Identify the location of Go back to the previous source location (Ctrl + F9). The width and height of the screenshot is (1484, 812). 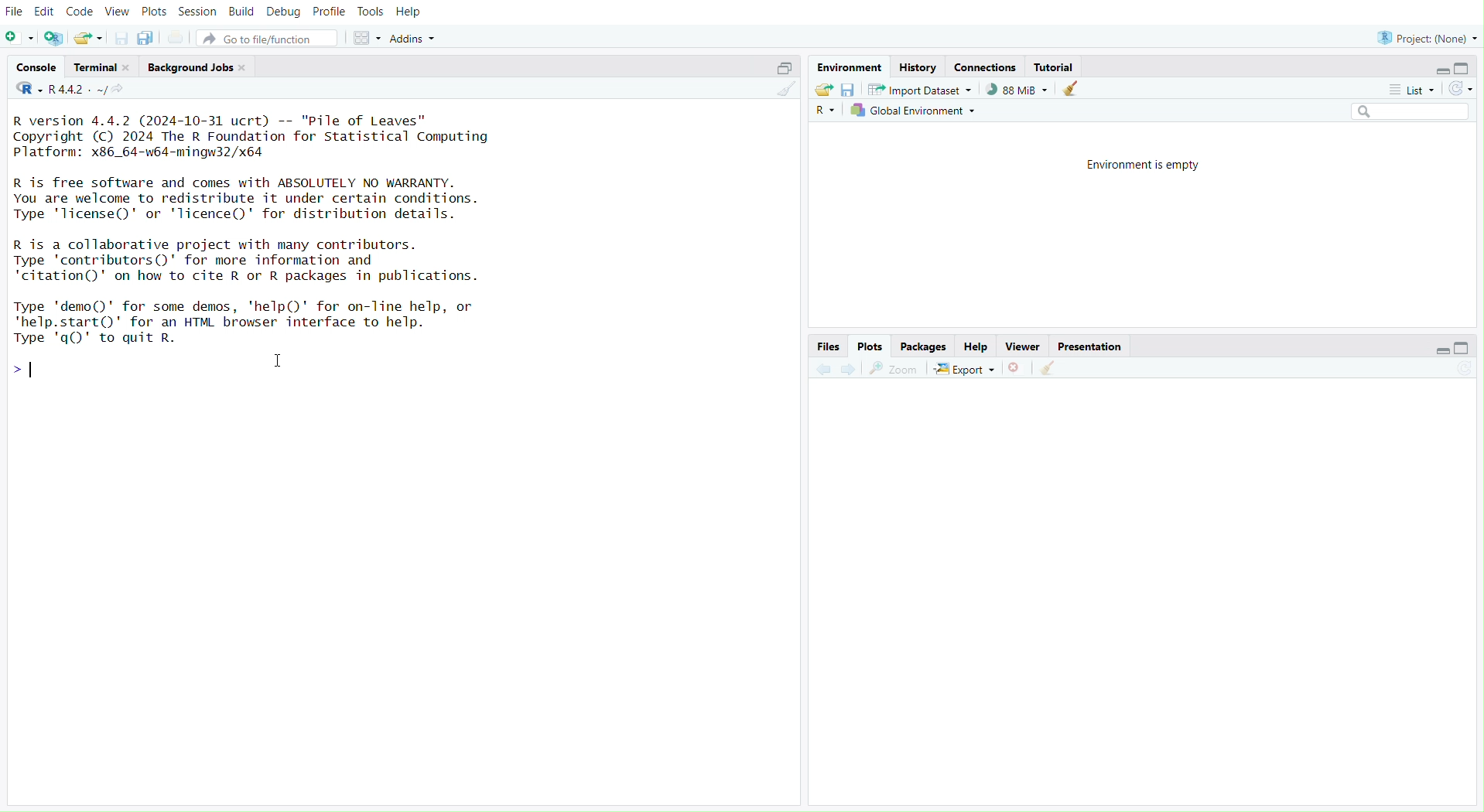
(824, 368).